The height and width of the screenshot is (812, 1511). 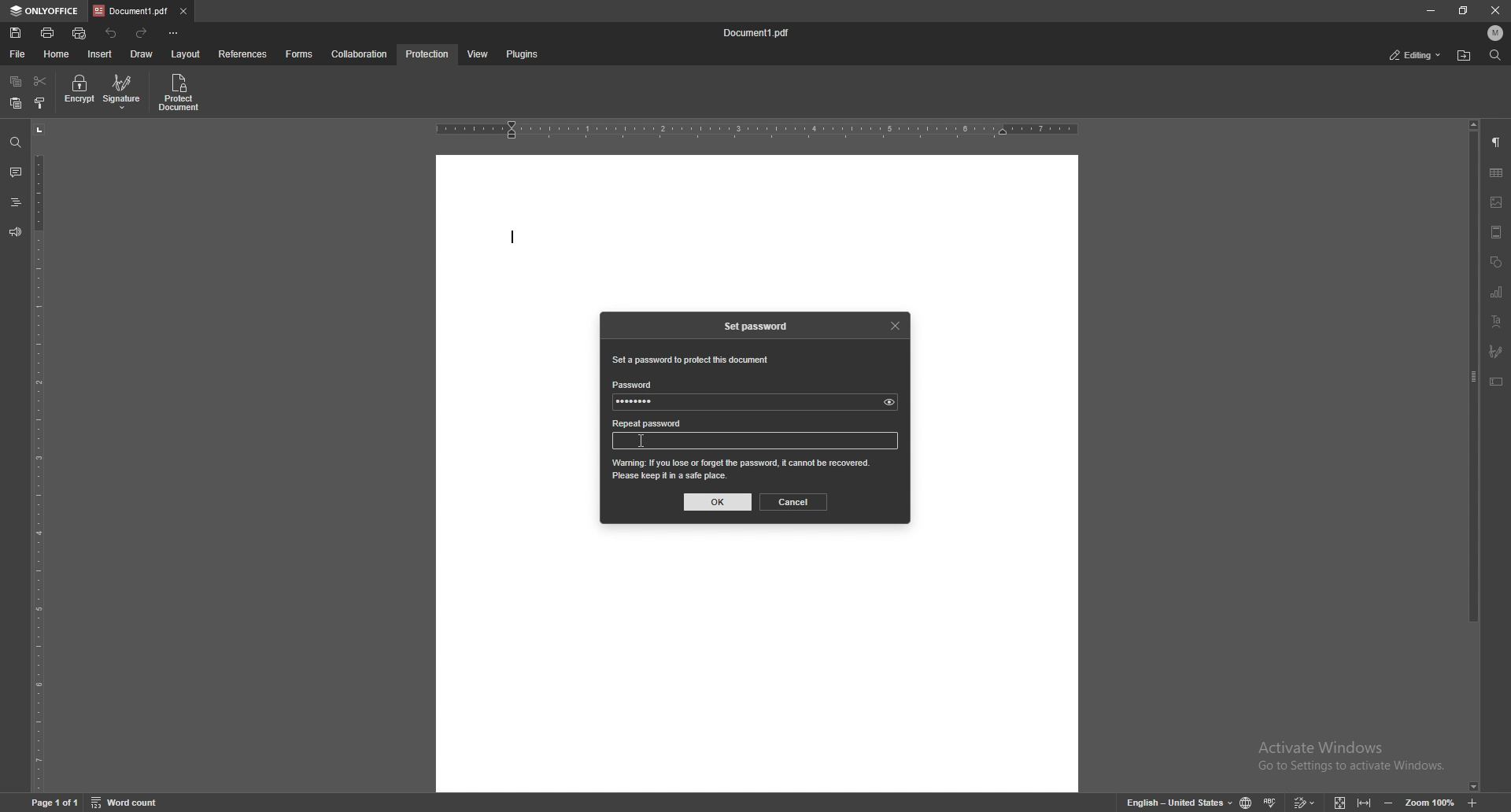 What do you see at coordinates (179, 93) in the screenshot?
I see `protect document` at bounding box center [179, 93].